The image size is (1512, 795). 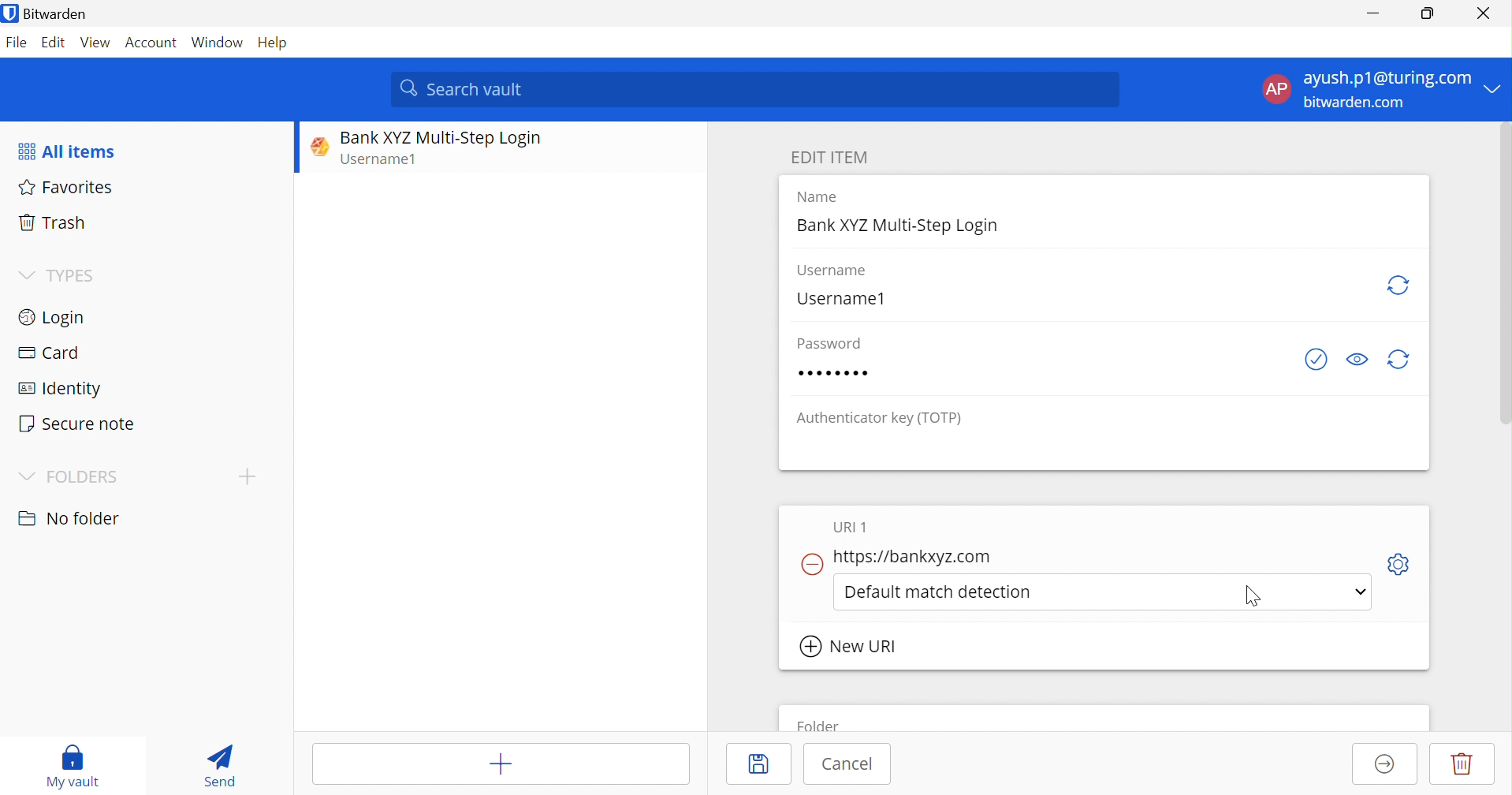 What do you see at coordinates (1400, 285) in the screenshot?
I see `Regenerate username` at bounding box center [1400, 285].